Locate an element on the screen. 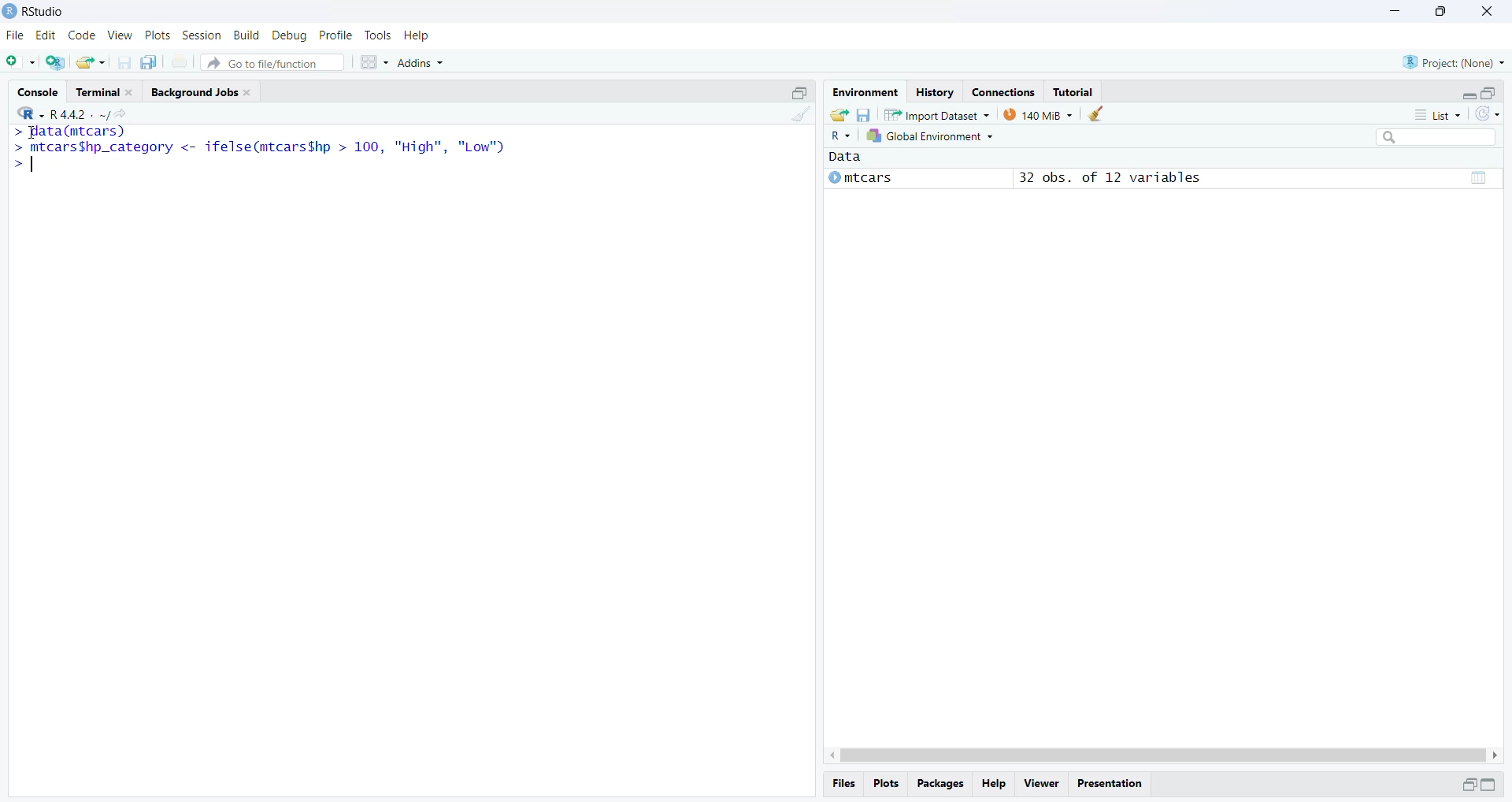 The image size is (1512, 802). History is located at coordinates (933, 91).